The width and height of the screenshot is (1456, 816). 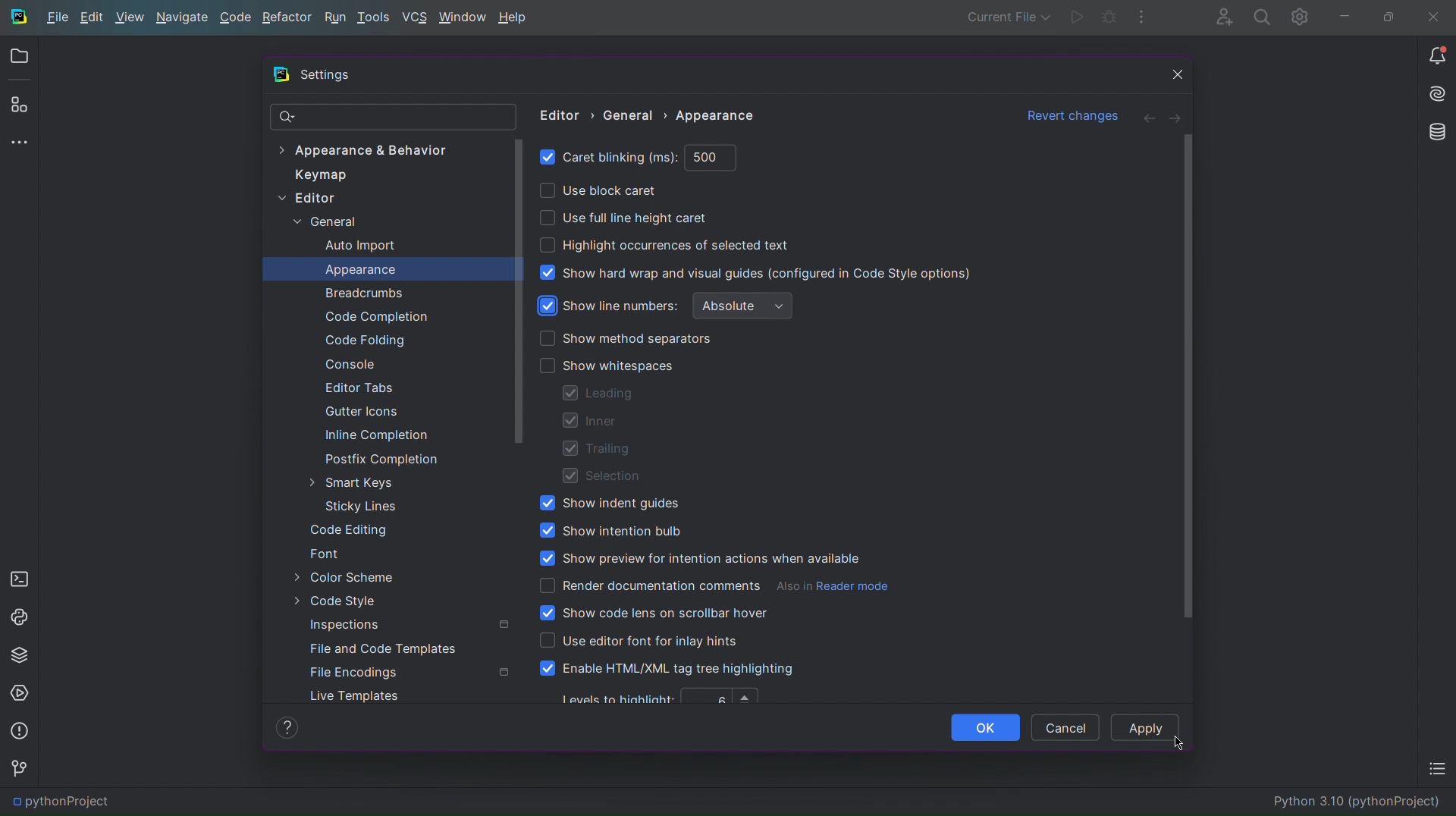 I want to click on Code Editing, so click(x=352, y=530).